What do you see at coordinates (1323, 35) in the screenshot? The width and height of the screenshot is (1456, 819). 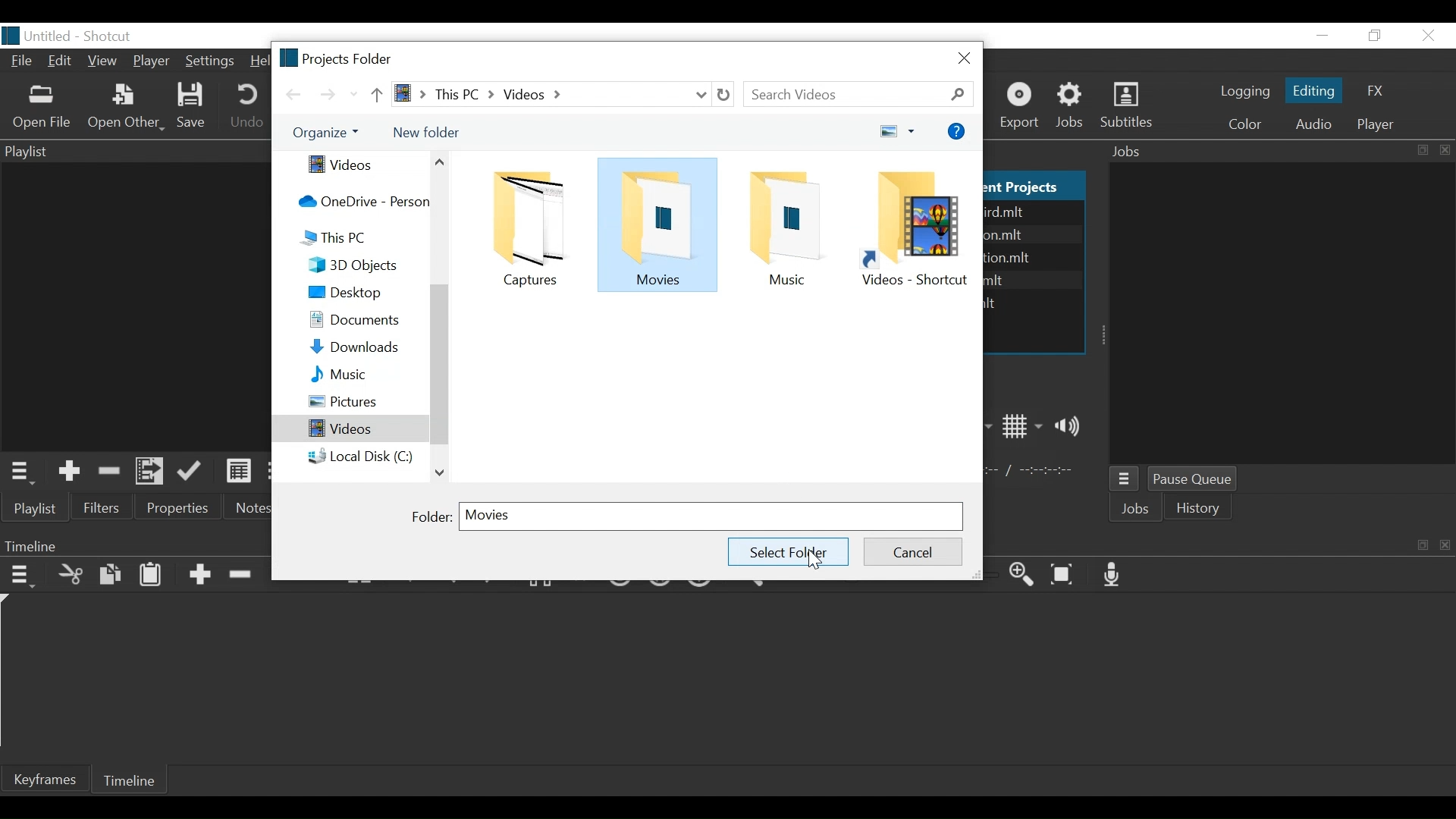 I see `minimize` at bounding box center [1323, 35].